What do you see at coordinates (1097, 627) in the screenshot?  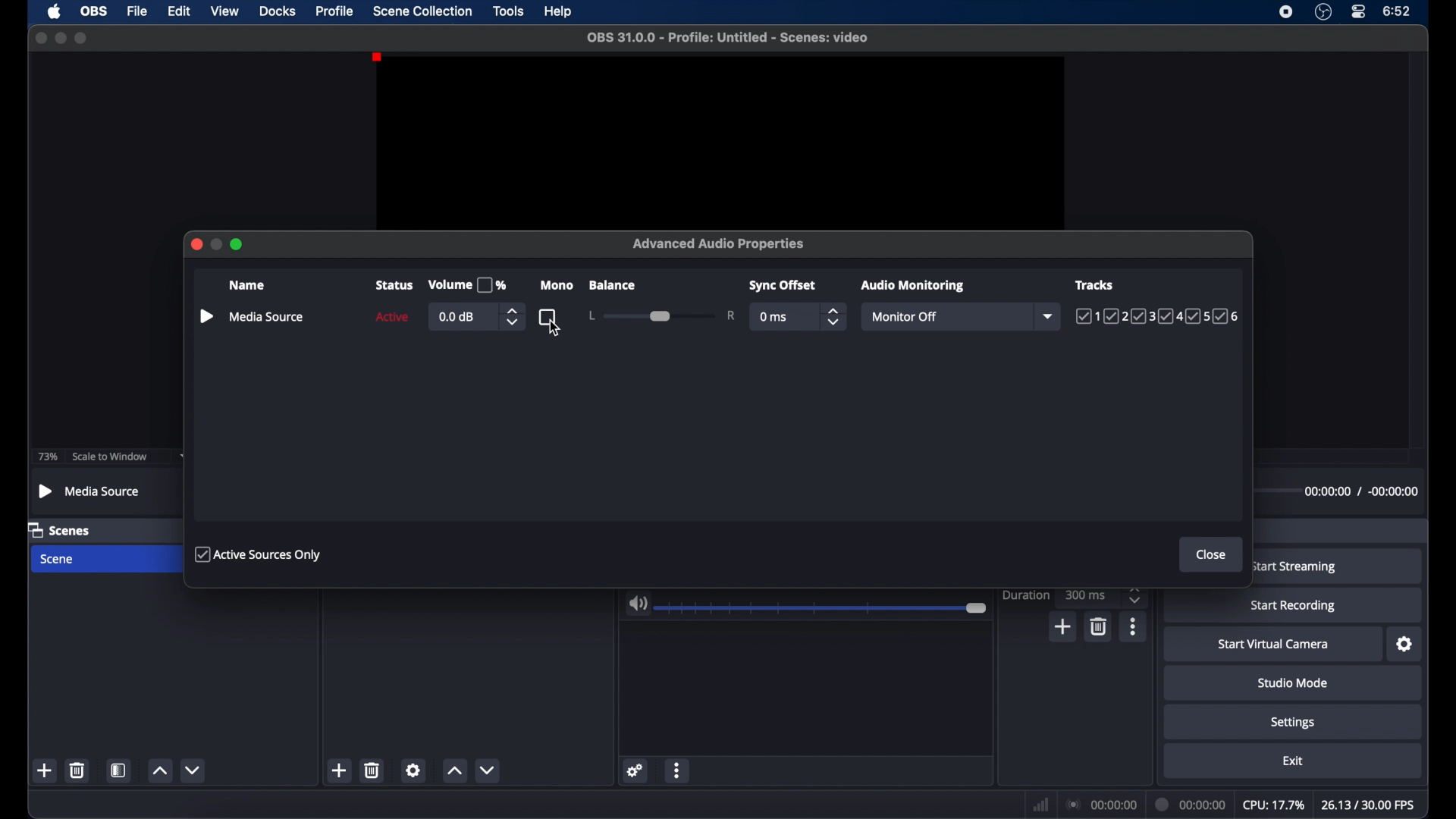 I see `delete` at bounding box center [1097, 627].